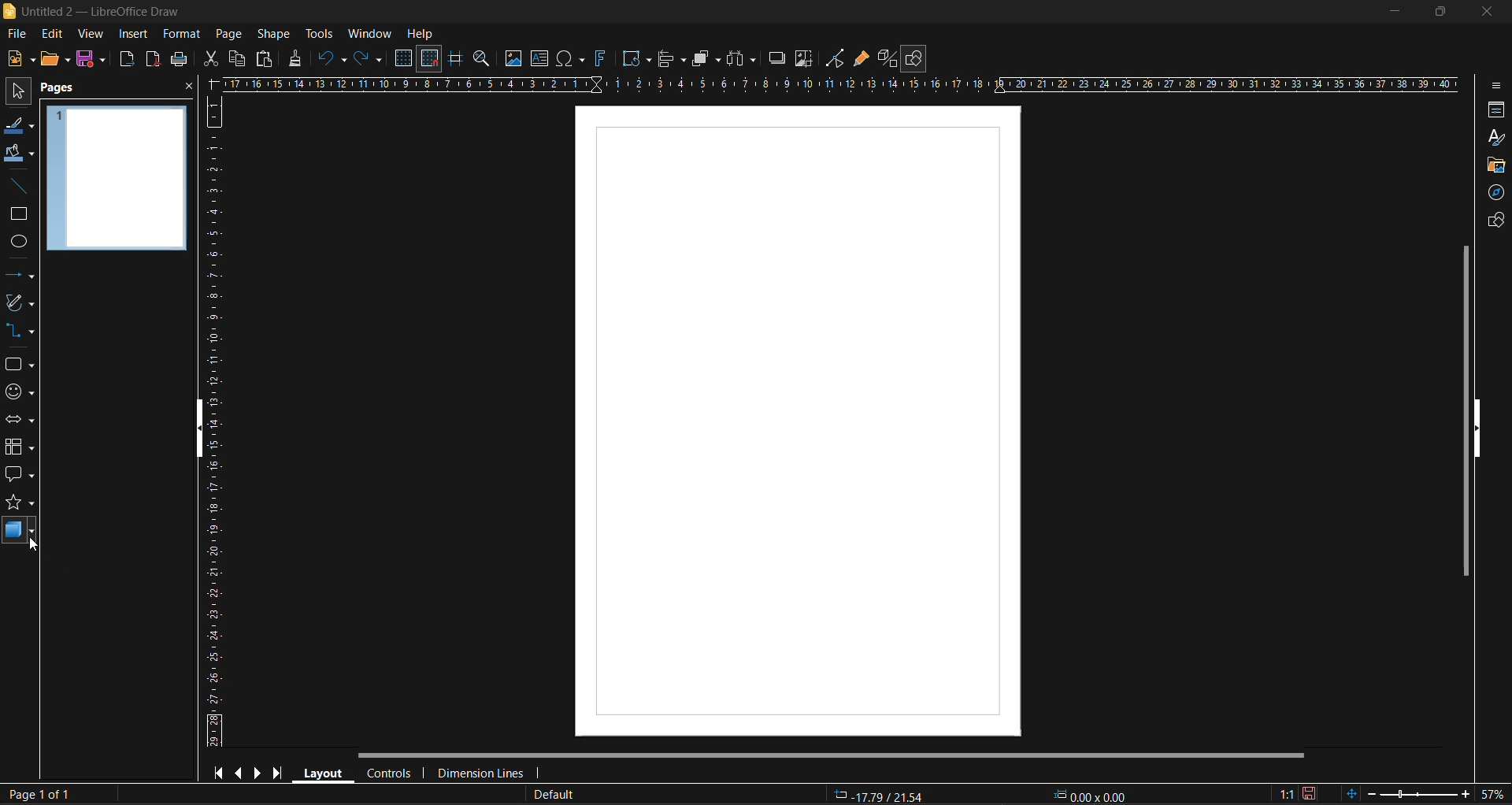 Image resolution: width=1512 pixels, height=805 pixels. Describe the element at coordinates (485, 61) in the screenshot. I see `zoom` at that location.